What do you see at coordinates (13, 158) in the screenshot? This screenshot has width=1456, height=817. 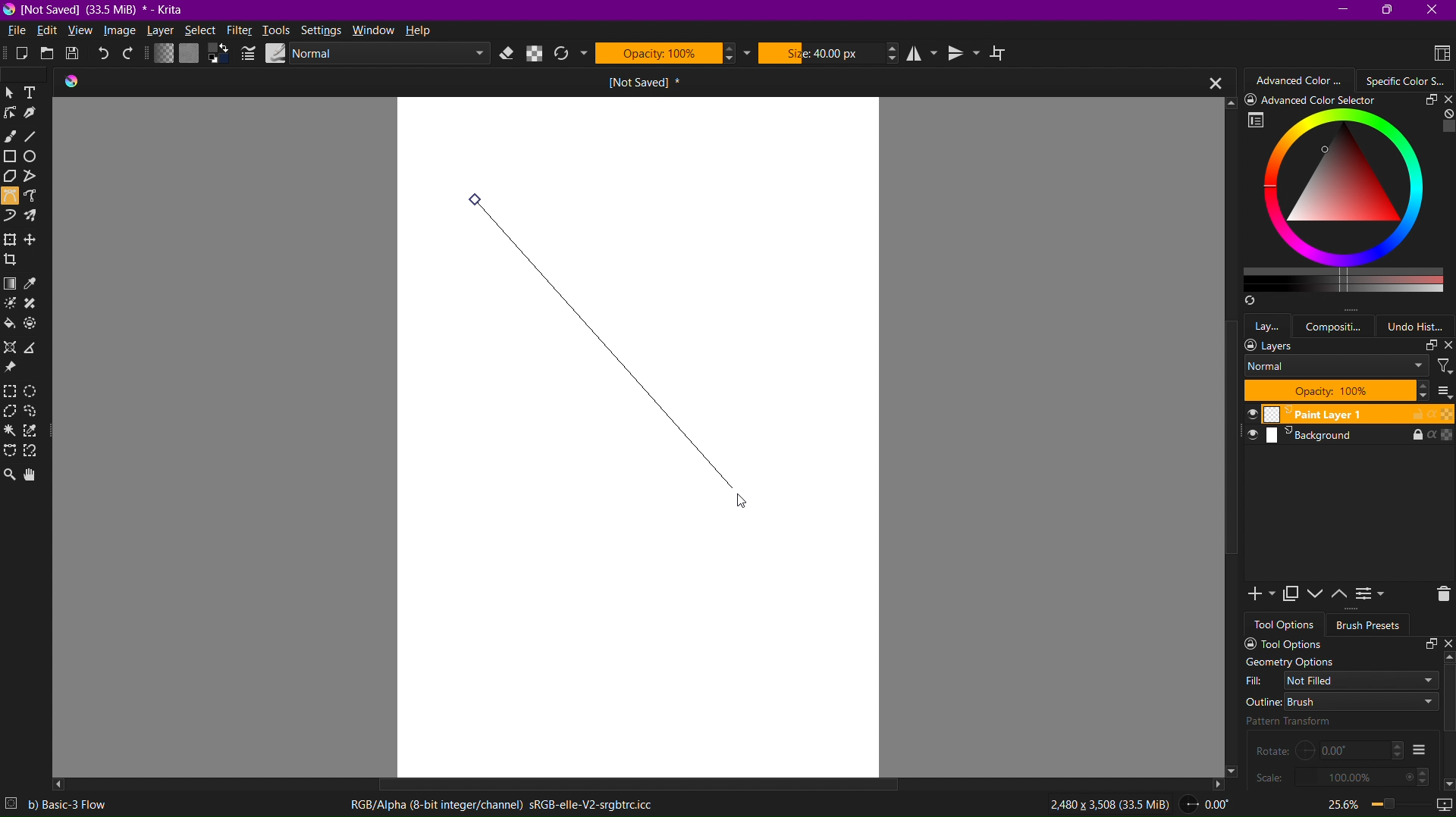 I see `Rectangle Tool` at bounding box center [13, 158].